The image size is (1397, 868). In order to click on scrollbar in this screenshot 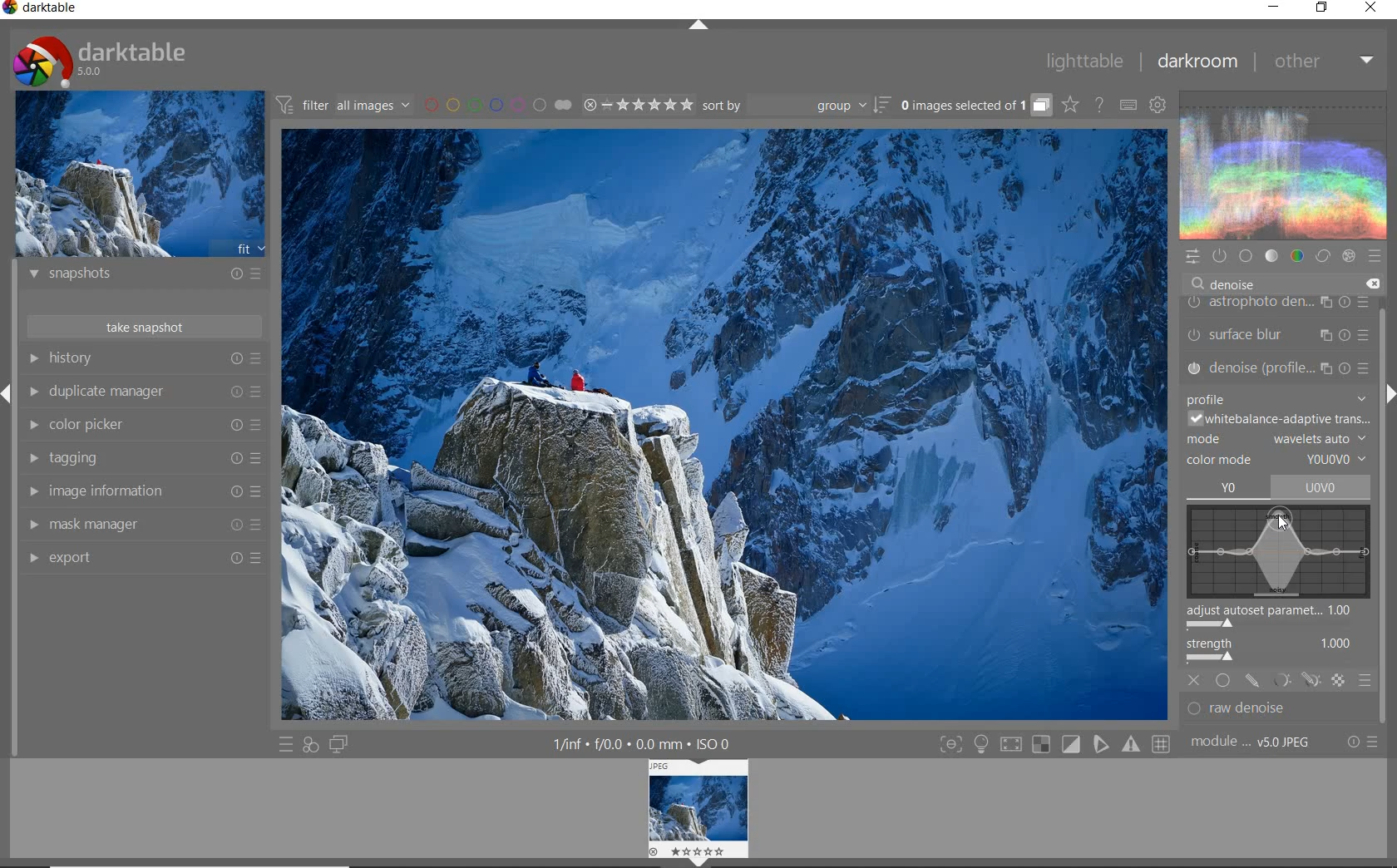, I will do `click(1383, 448)`.